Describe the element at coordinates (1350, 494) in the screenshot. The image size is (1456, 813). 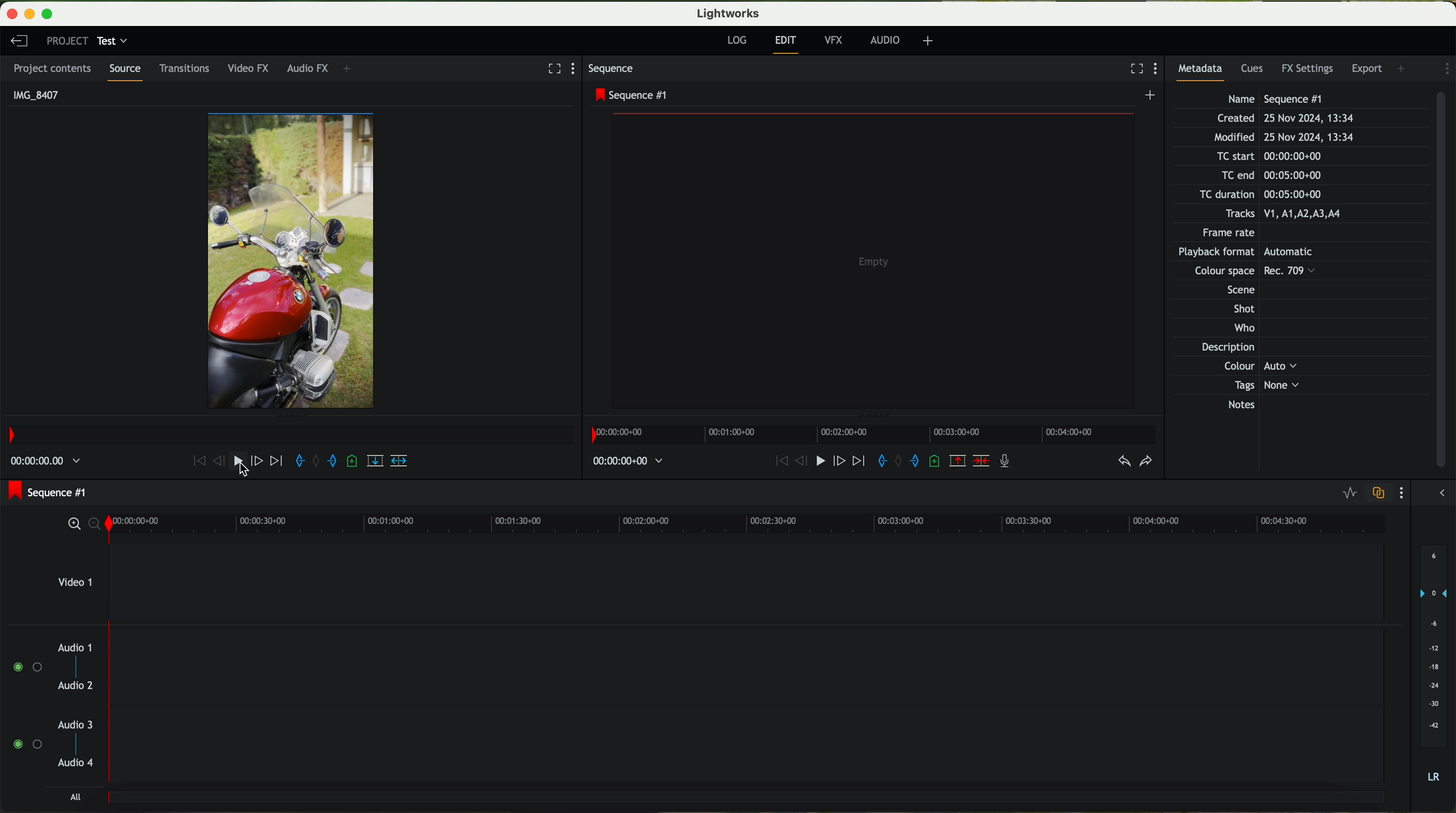
I see `toggle audio levels editing` at that location.